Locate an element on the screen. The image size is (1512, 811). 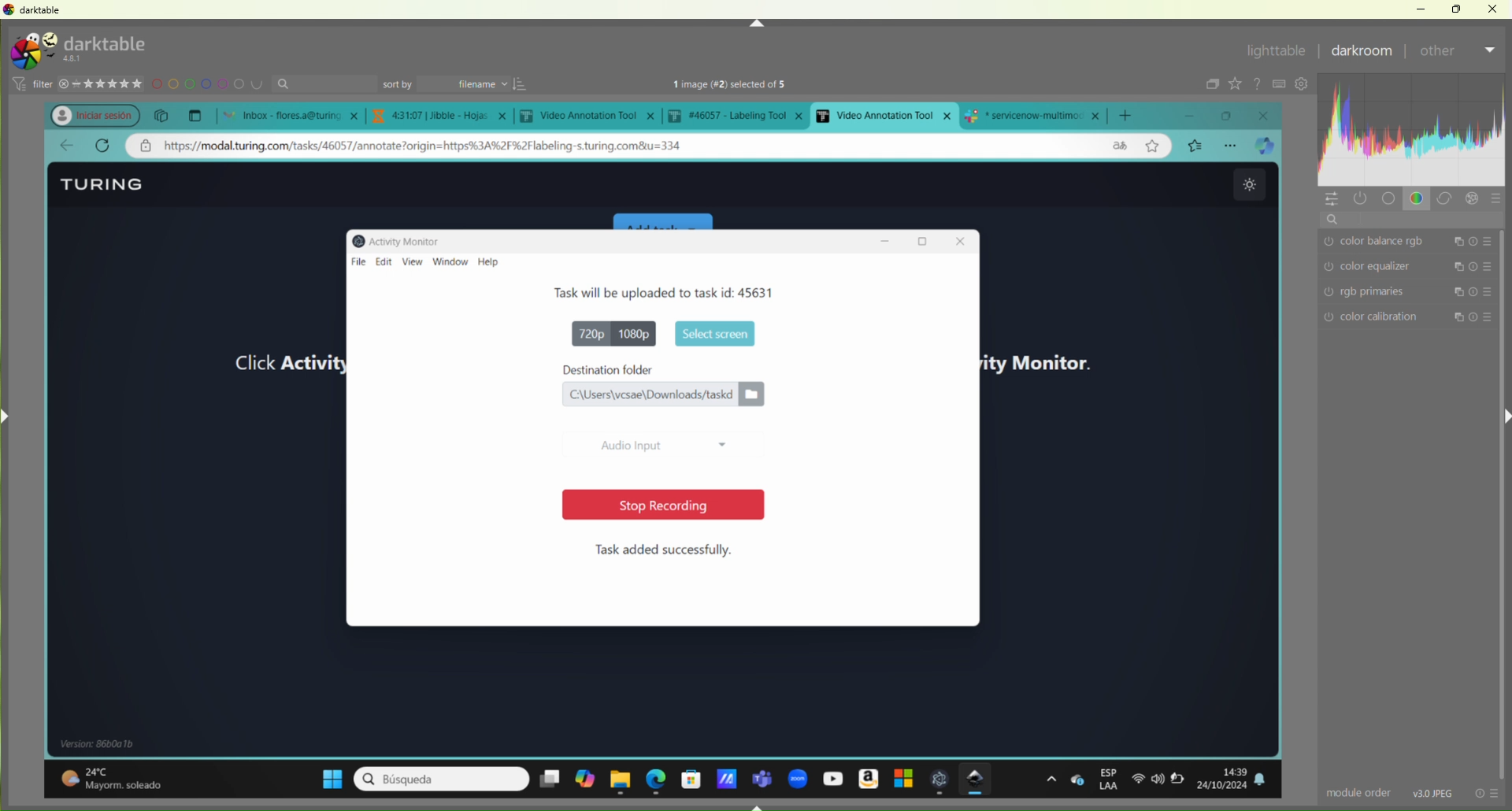
After is located at coordinates (1438, 50).